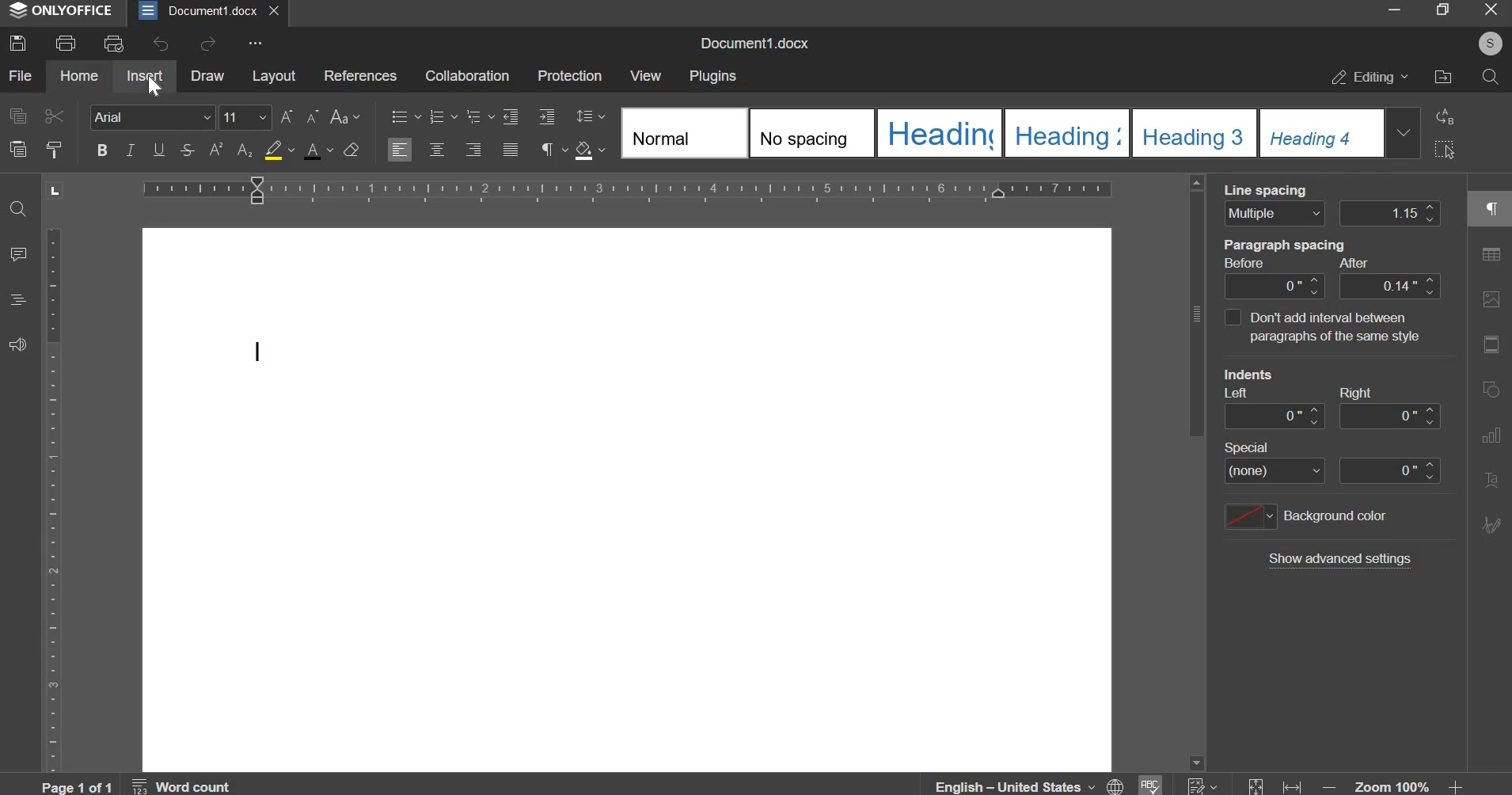 Image resolution: width=1512 pixels, height=795 pixels. Describe the element at coordinates (19, 74) in the screenshot. I see `file` at that location.